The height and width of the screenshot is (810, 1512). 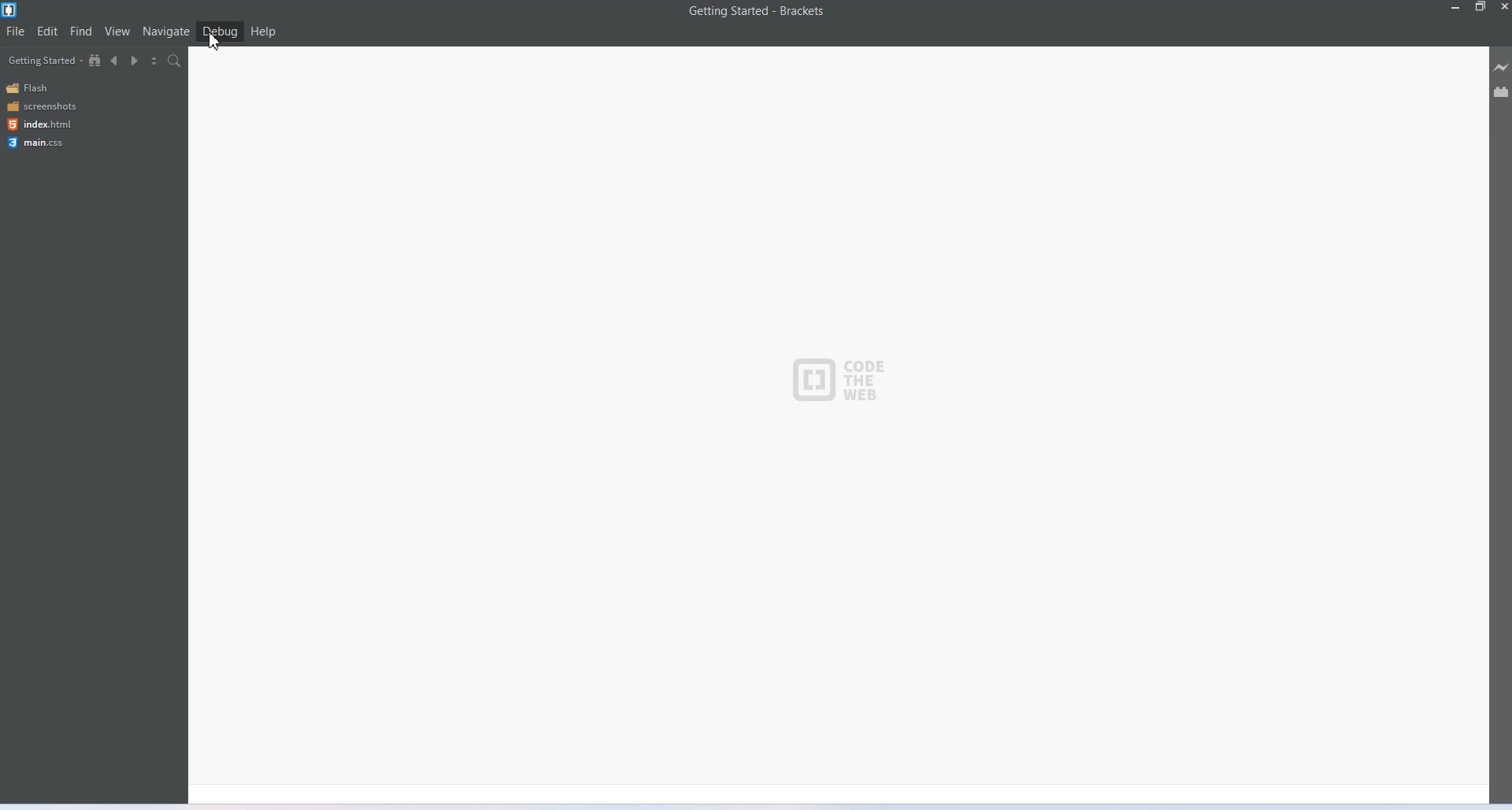 What do you see at coordinates (38, 124) in the screenshot?
I see `Index` at bounding box center [38, 124].